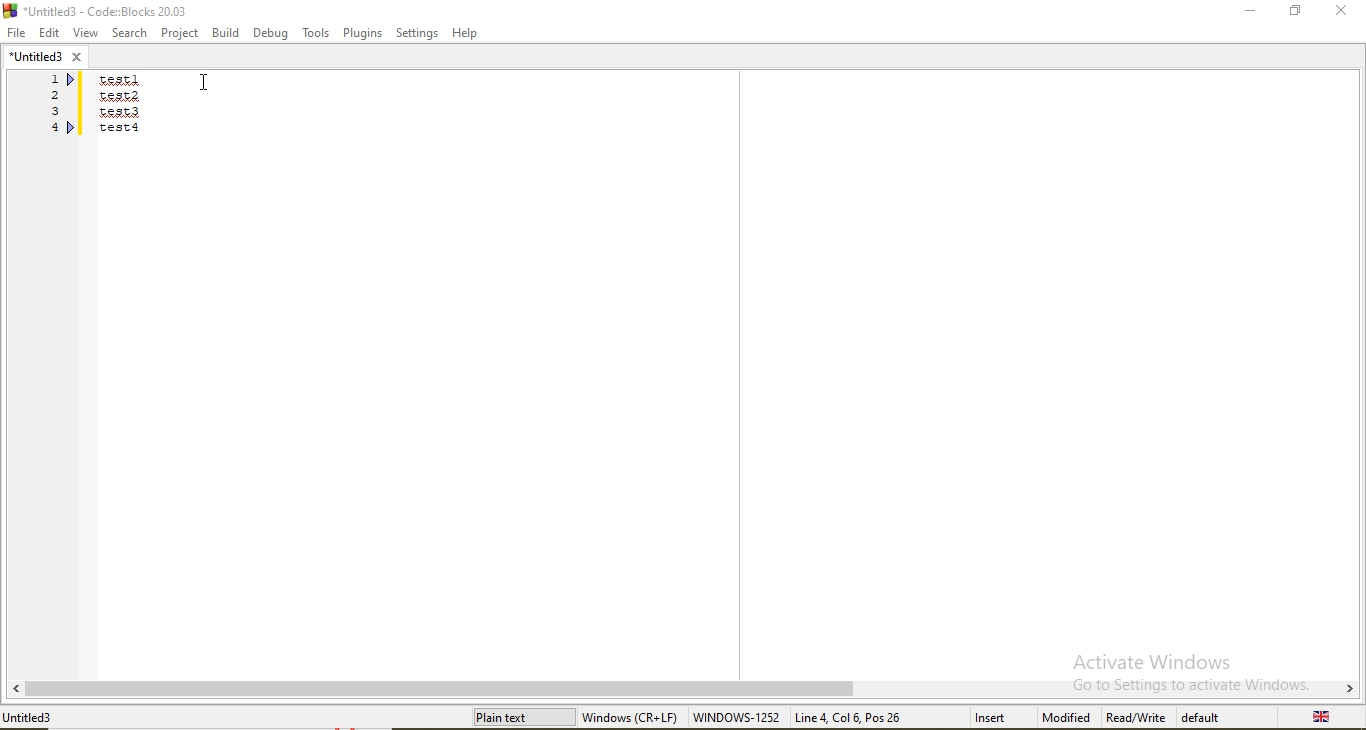 The height and width of the screenshot is (730, 1366). Describe the element at coordinates (1065, 718) in the screenshot. I see `modified` at that location.